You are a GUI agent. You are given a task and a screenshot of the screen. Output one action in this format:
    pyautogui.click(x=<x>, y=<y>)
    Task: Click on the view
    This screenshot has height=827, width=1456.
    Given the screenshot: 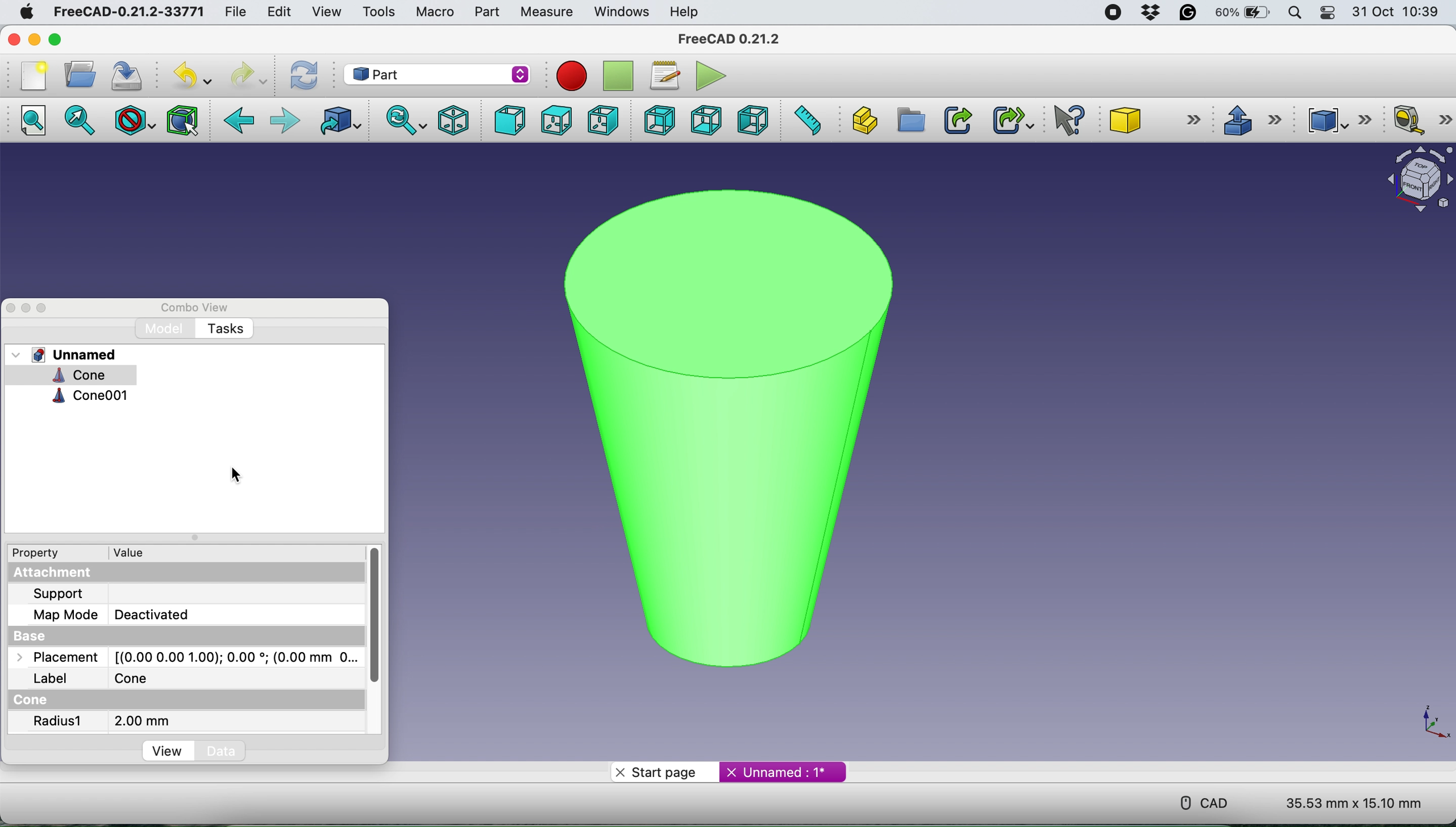 What is the action you would take?
    pyautogui.click(x=169, y=753)
    